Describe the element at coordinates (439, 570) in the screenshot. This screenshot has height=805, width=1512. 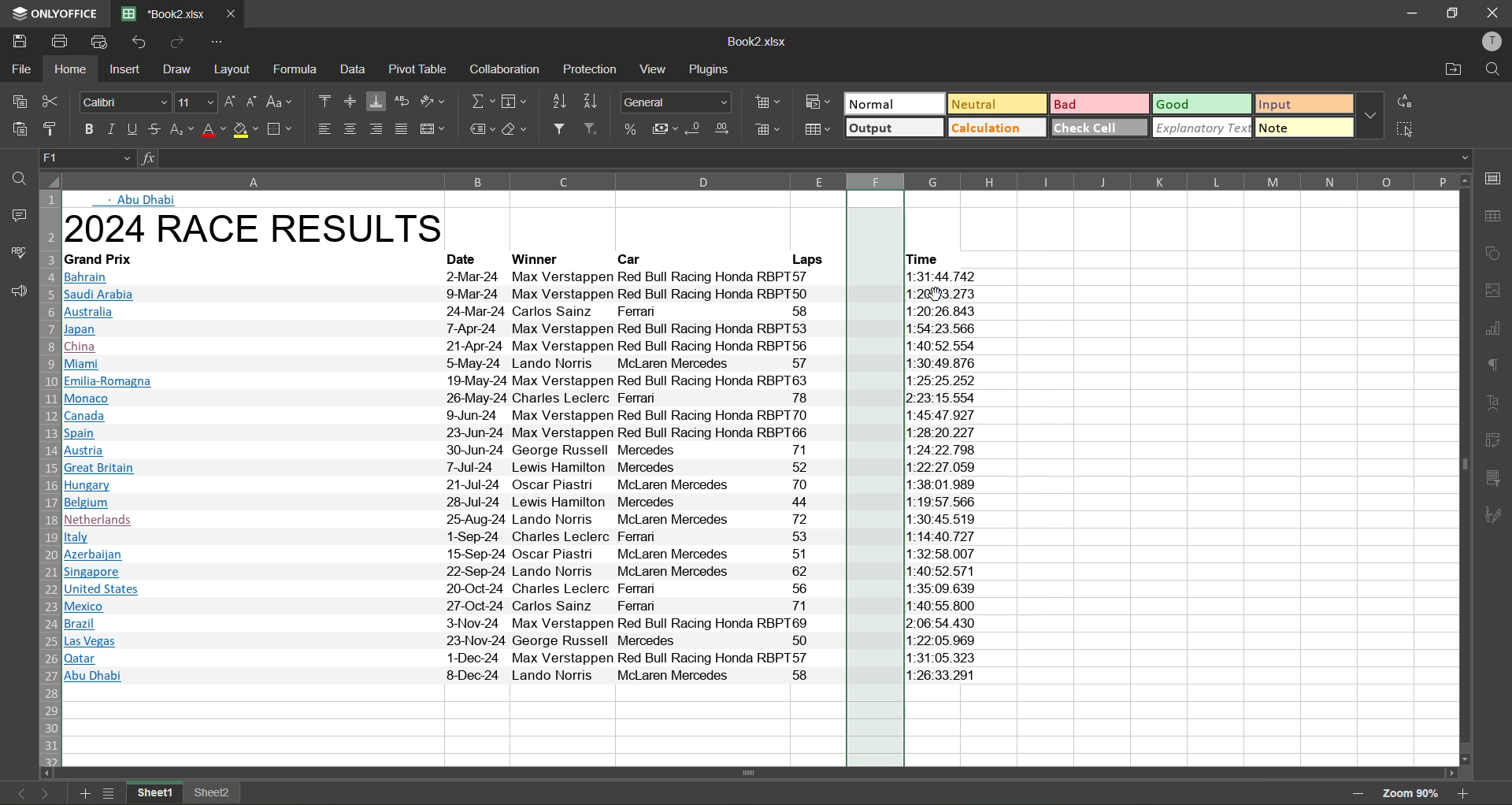
I see `Singapore 22-Sep-24 Lando Norris McLaren Mercedes 62 1:40:52 571` at that location.